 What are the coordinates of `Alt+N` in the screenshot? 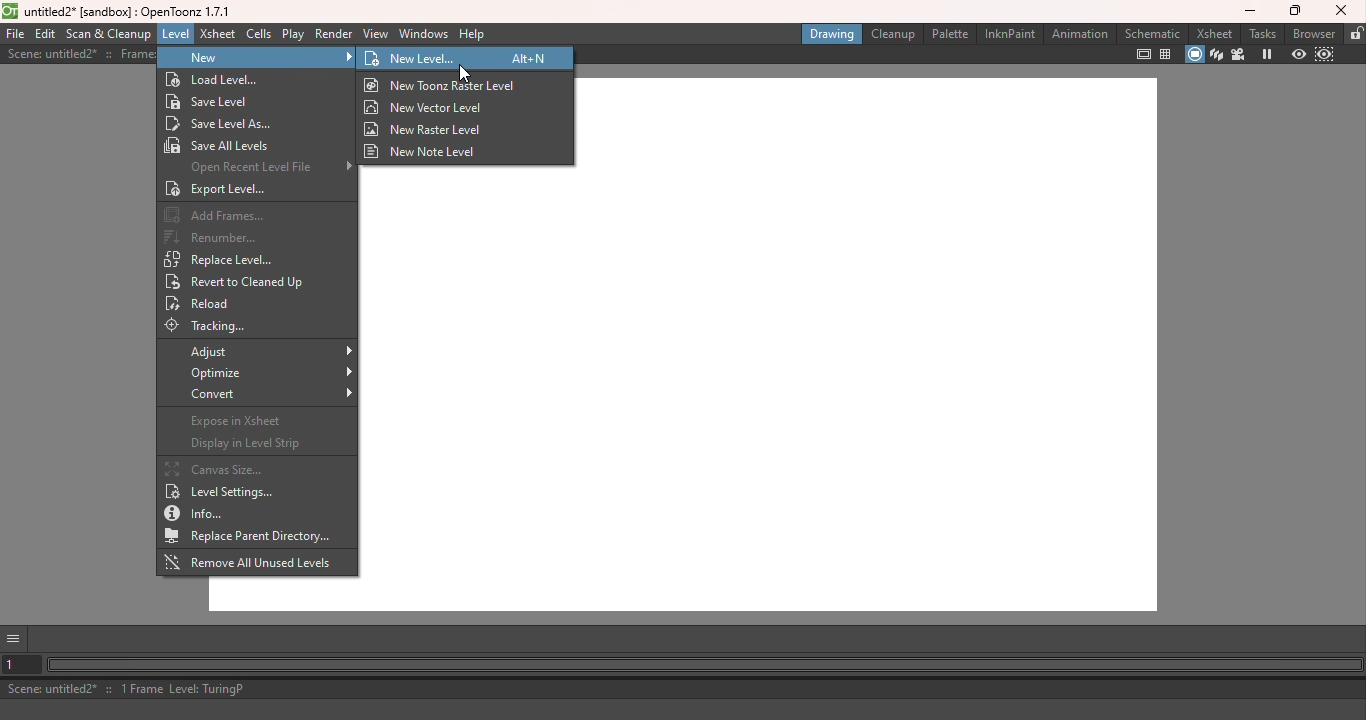 It's located at (531, 59).